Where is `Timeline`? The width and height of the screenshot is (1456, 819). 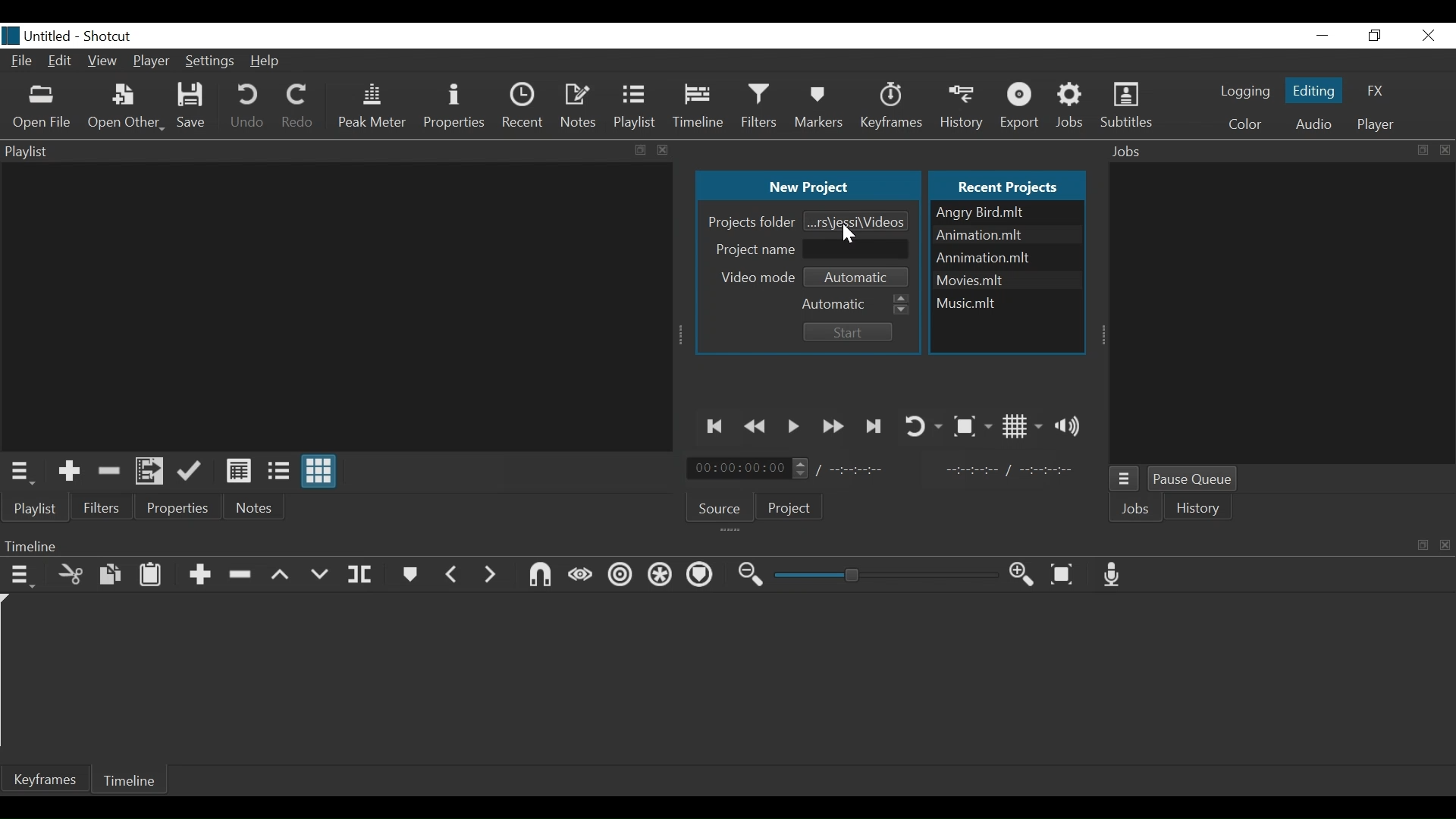
Timeline is located at coordinates (700, 106).